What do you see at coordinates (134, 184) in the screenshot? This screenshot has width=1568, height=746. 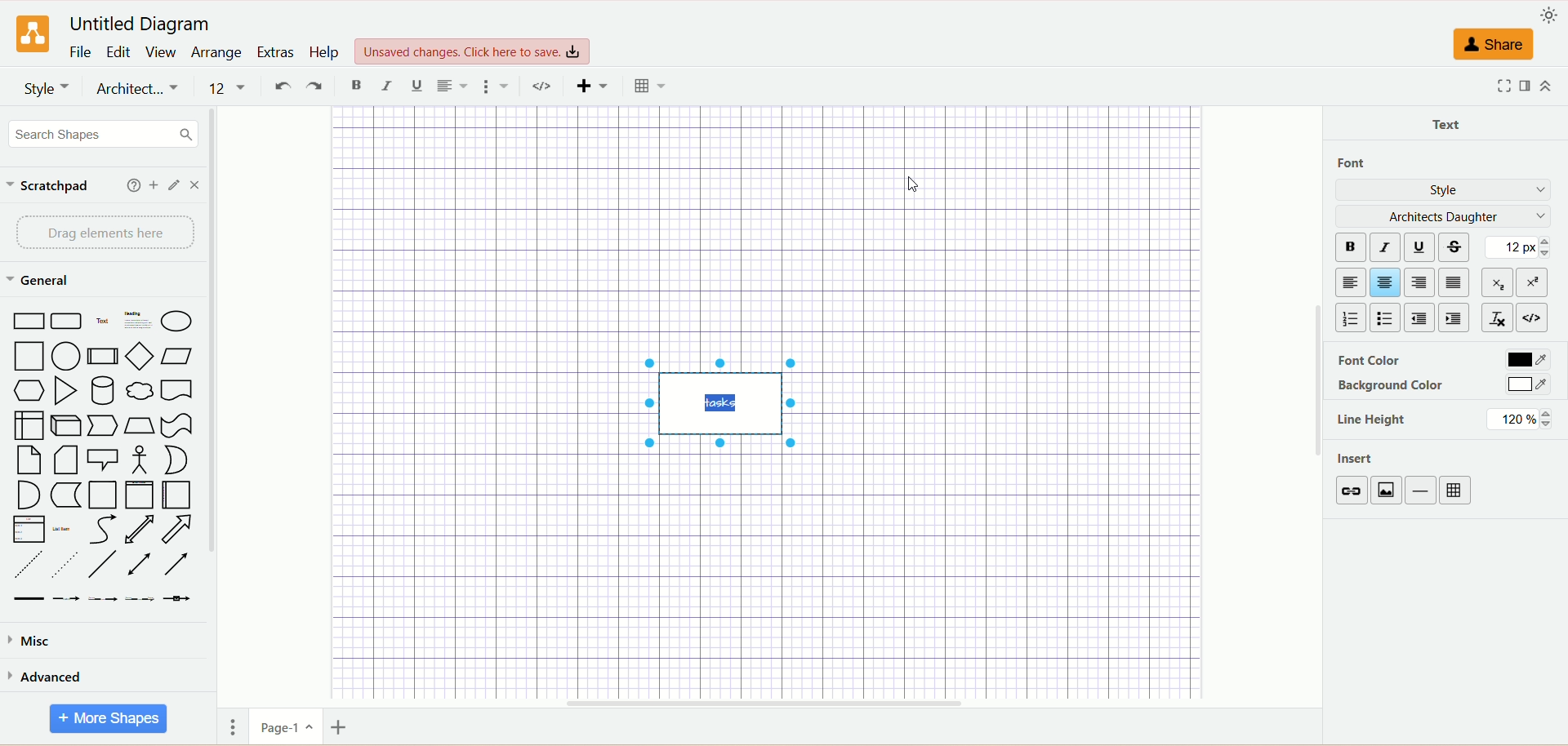 I see `help` at bounding box center [134, 184].